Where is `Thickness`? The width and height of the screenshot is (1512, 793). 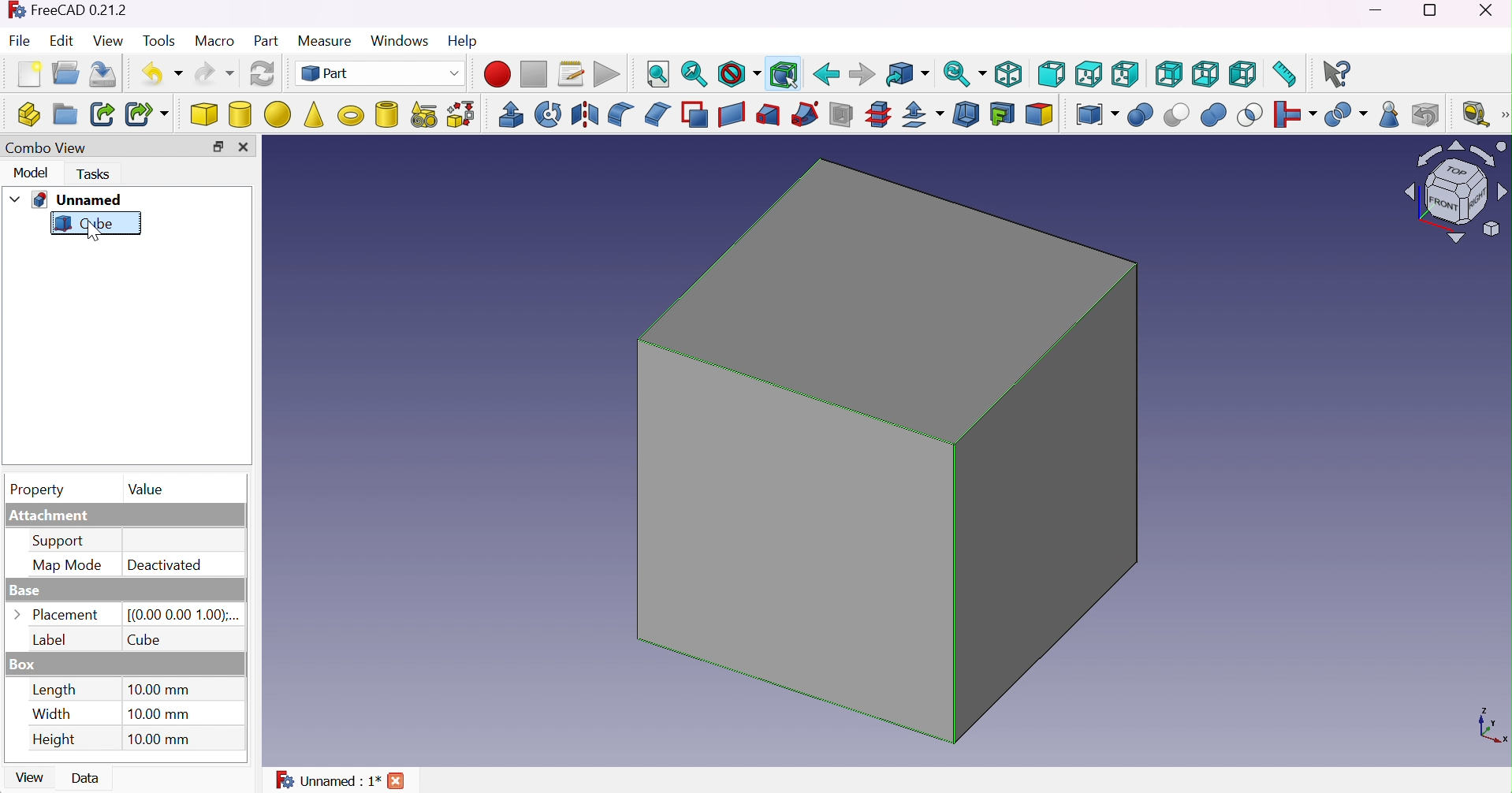 Thickness is located at coordinates (966, 117).